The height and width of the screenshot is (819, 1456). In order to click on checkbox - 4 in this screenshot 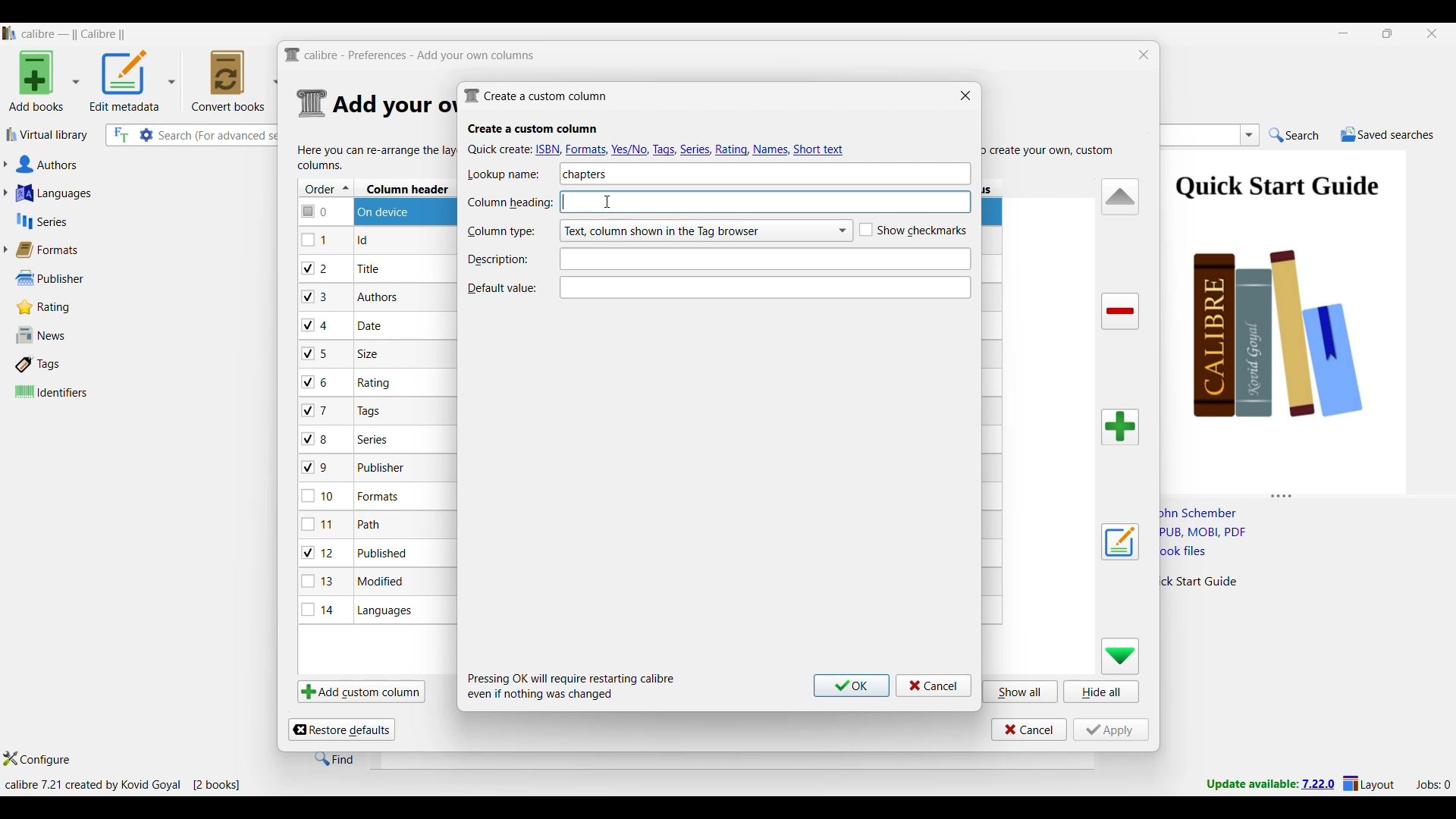, I will do `click(315, 325)`.